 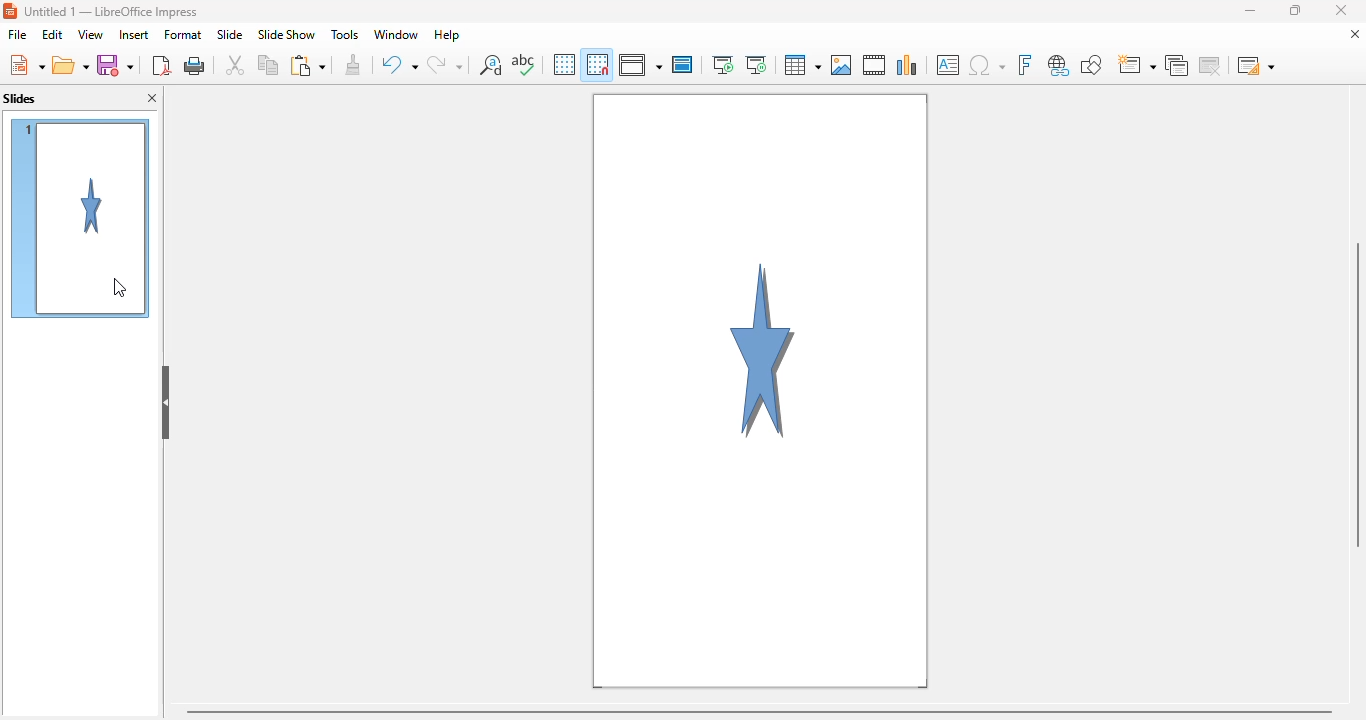 What do you see at coordinates (165, 401) in the screenshot?
I see `hide` at bounding box center [165, 401].